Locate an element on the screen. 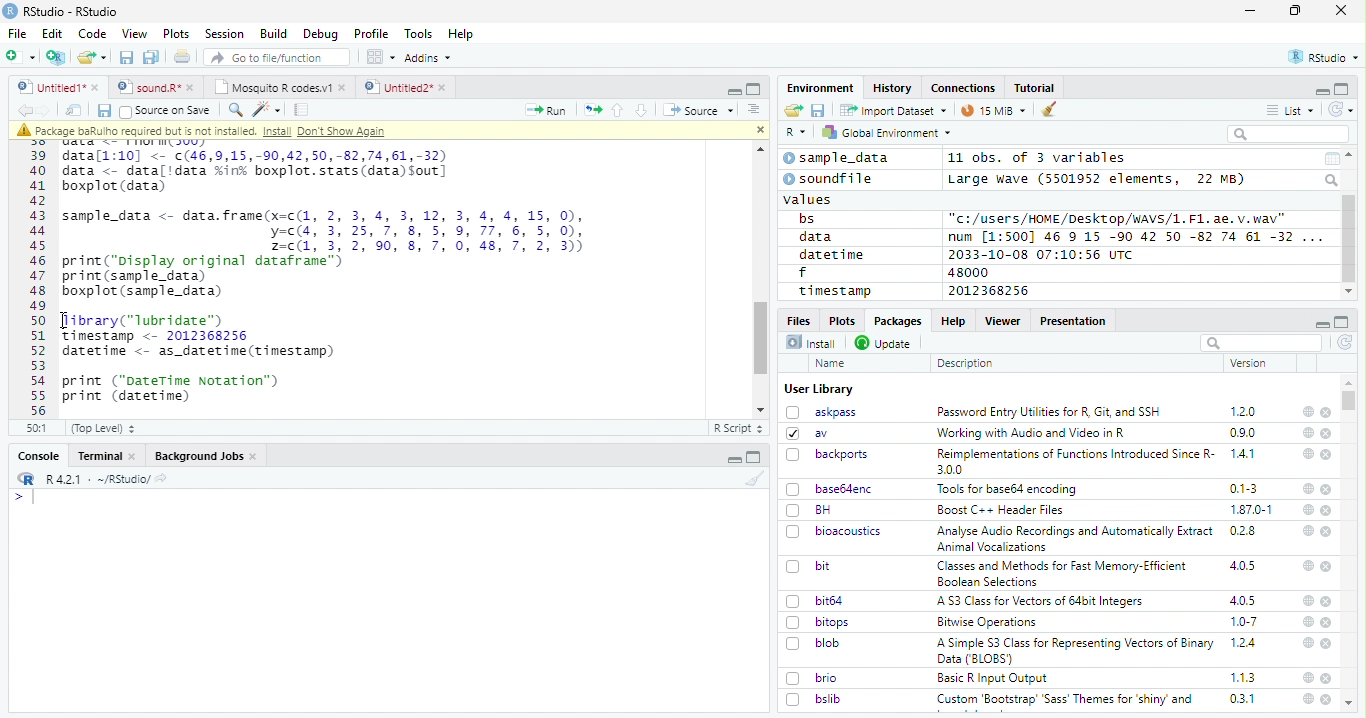 Image resolution: width=1366 pixels, height=718 pixels. av is located at coordinates (807, 432).